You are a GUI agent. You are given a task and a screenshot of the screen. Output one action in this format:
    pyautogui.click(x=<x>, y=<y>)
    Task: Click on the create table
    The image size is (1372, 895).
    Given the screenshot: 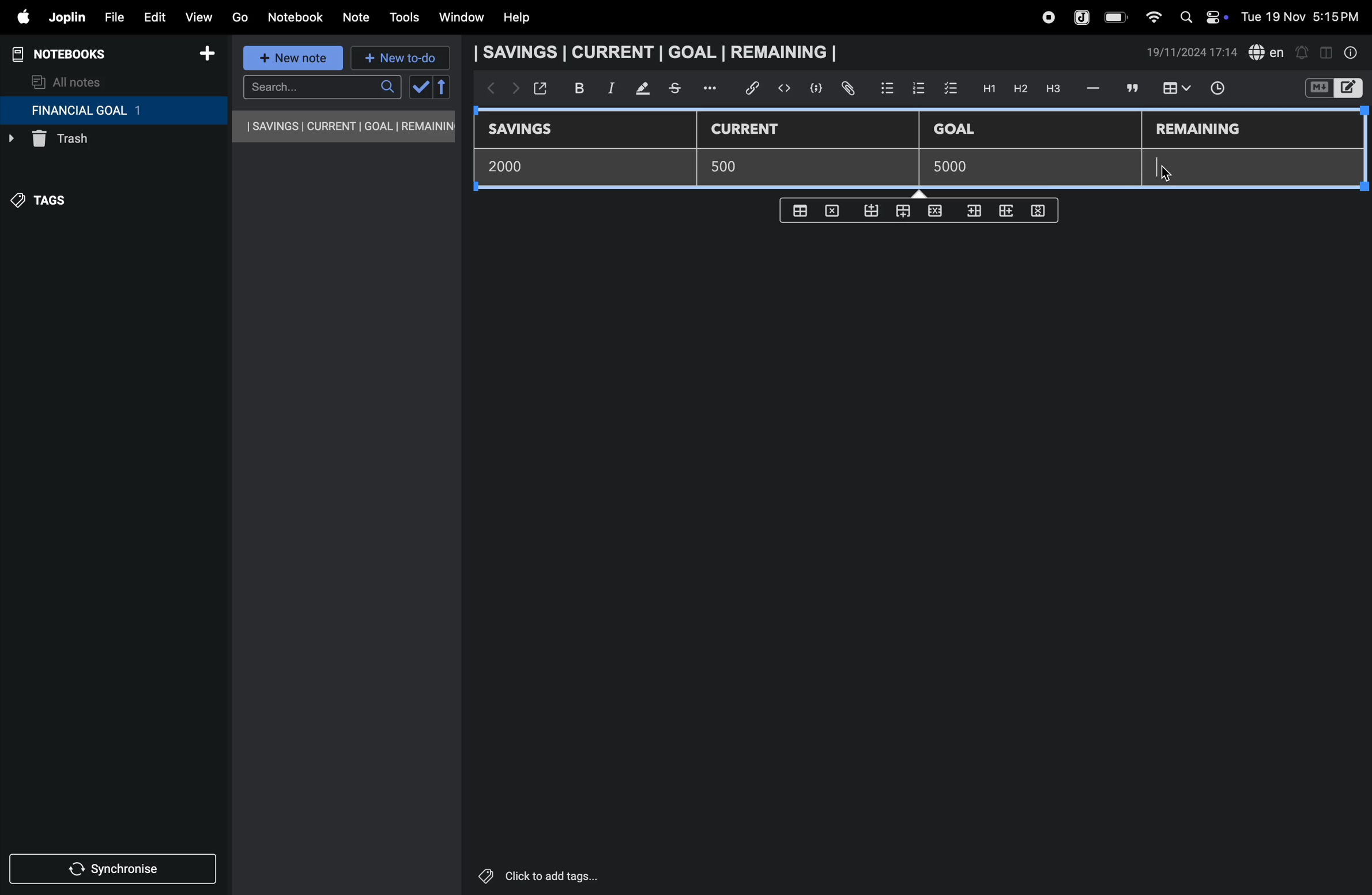 What is the action you would take?
    pyautogui.click(x=798, y=210)
    